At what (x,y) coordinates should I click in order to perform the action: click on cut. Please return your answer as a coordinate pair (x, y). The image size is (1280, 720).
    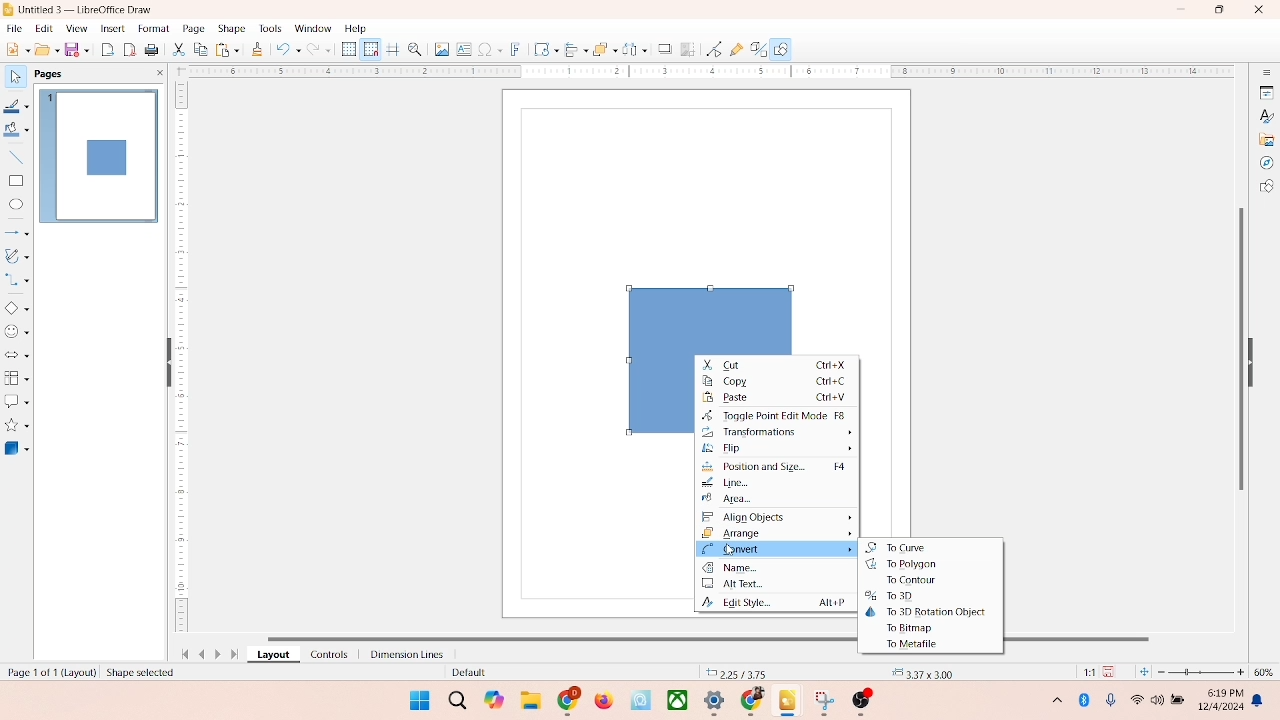
    Looking at the image, I should click on (778, 364).